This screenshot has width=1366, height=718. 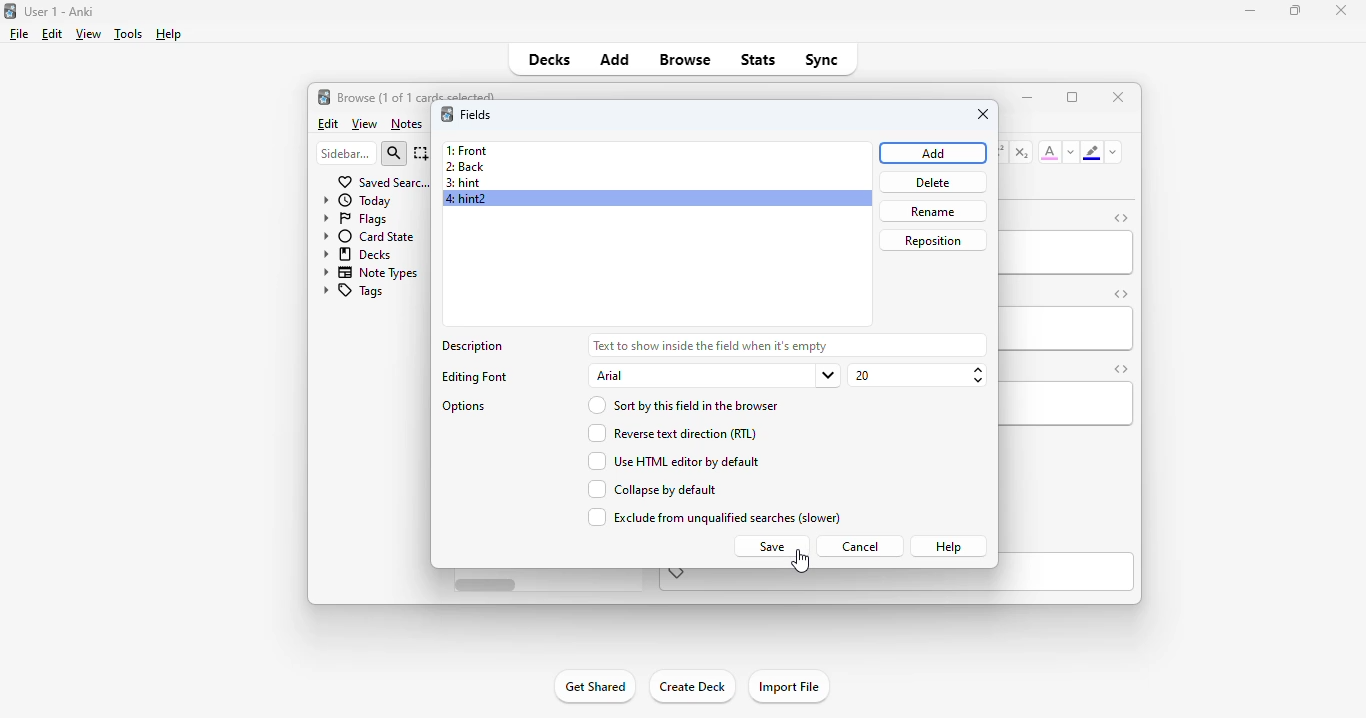 What do you see at coordinates (371, 272) in the screenshot?
I see `note types` at bounding box center [371, 272].